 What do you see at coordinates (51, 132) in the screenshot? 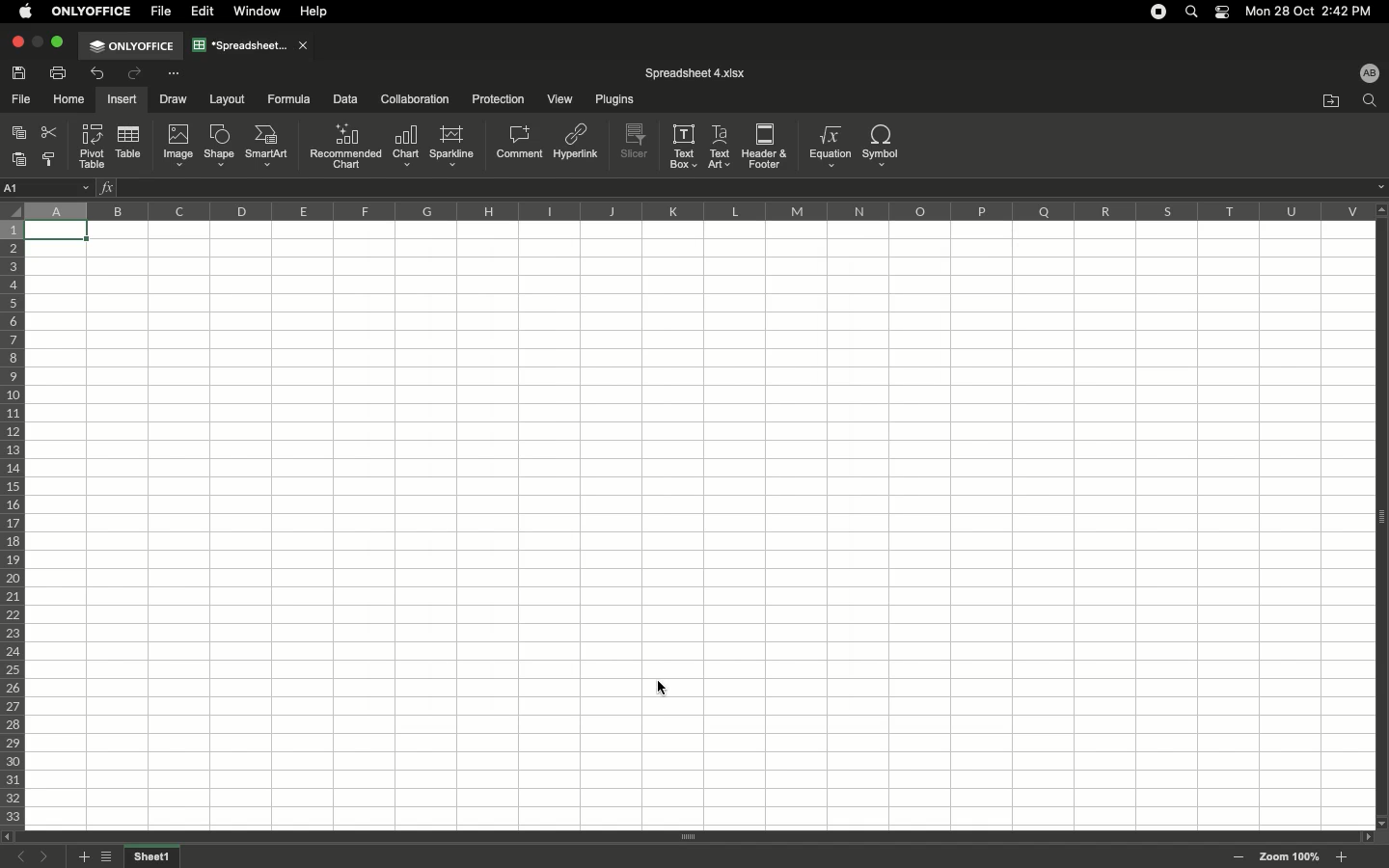
I see `Cut` at bounding box center [51, 132].